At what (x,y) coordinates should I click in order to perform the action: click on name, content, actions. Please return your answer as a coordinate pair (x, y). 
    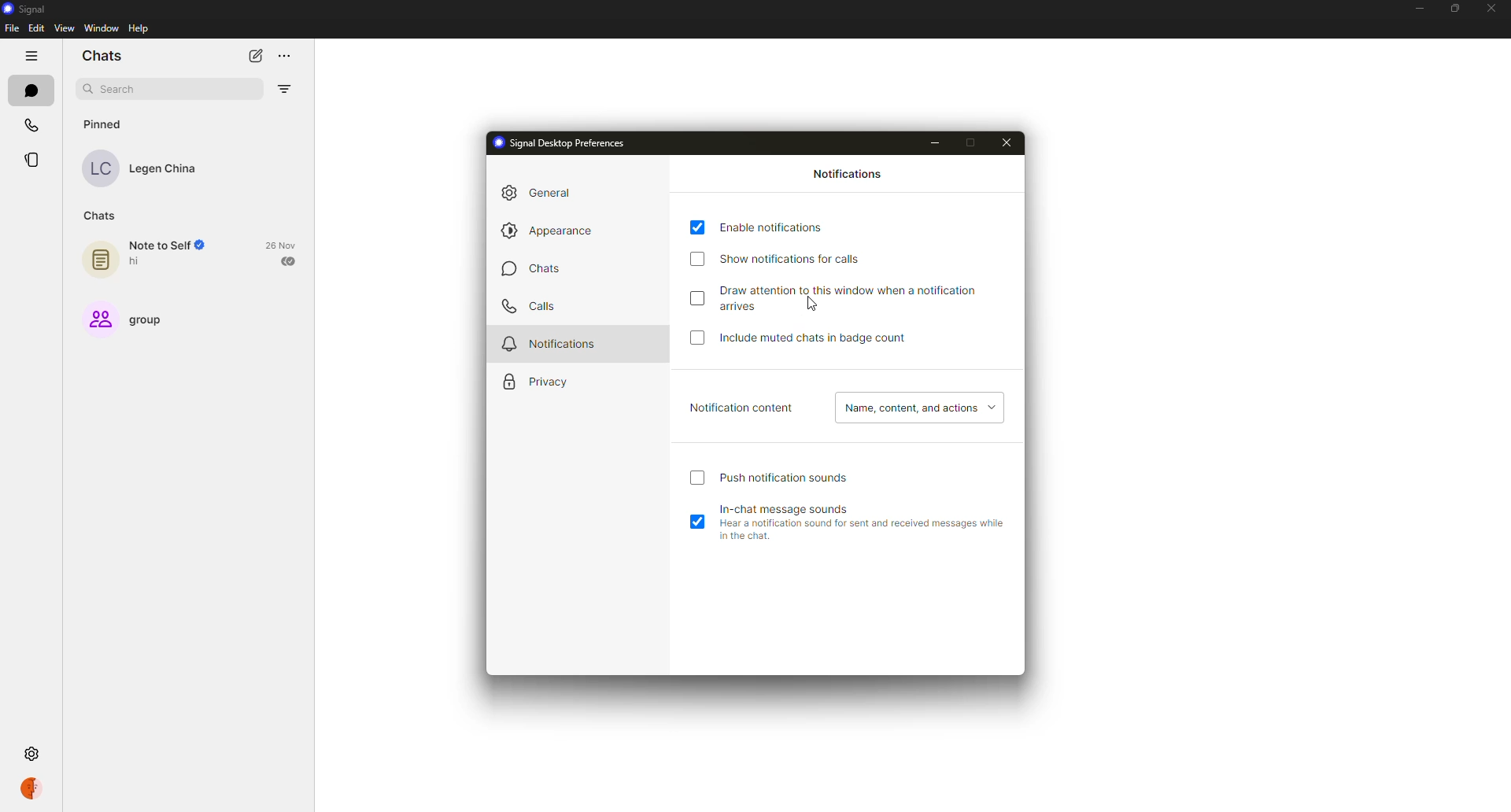
    Looking at the image, I should click on (912, 407).